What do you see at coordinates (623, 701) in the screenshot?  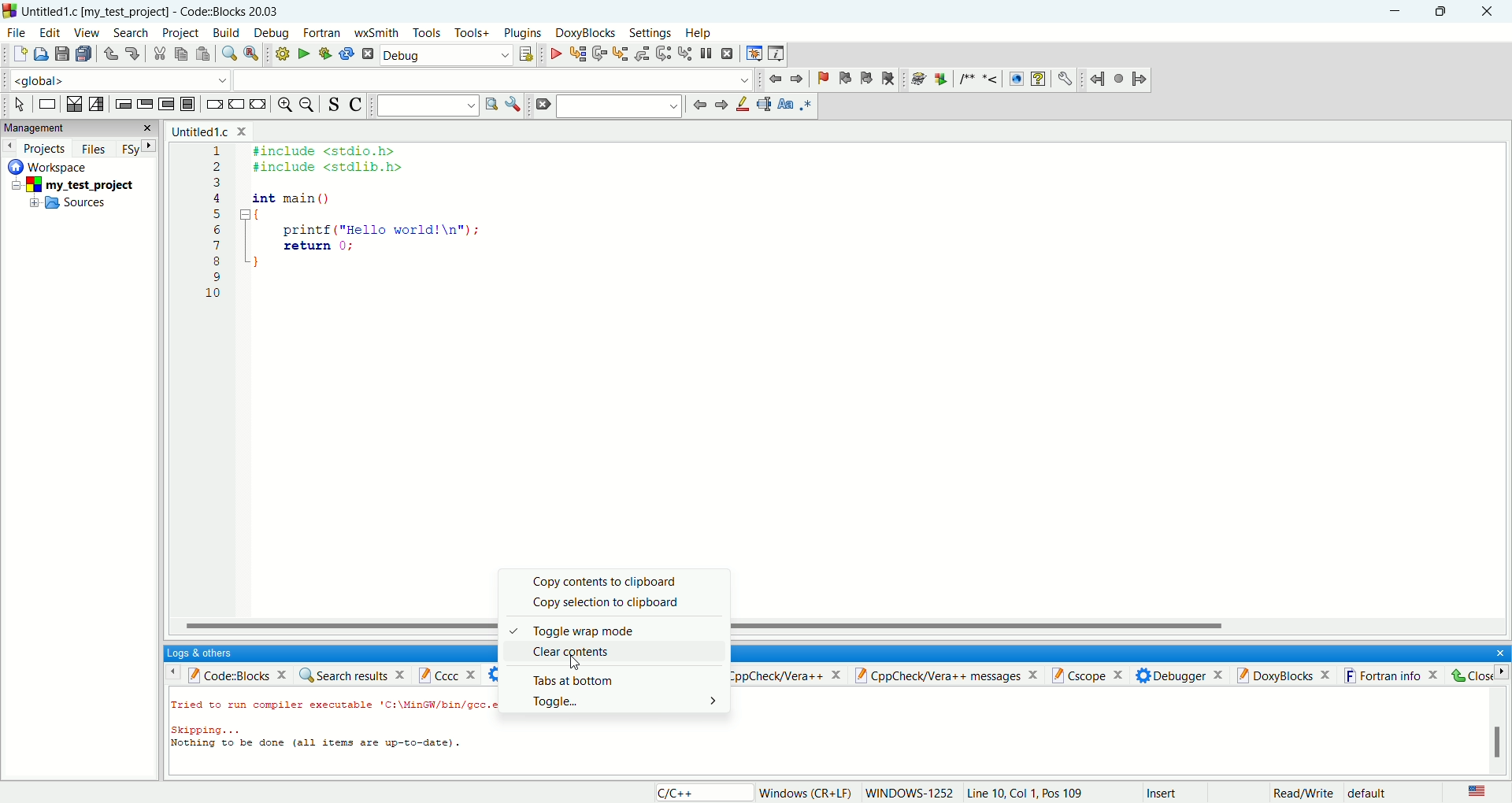 I see `toggle` at bounding box center [623, 701].